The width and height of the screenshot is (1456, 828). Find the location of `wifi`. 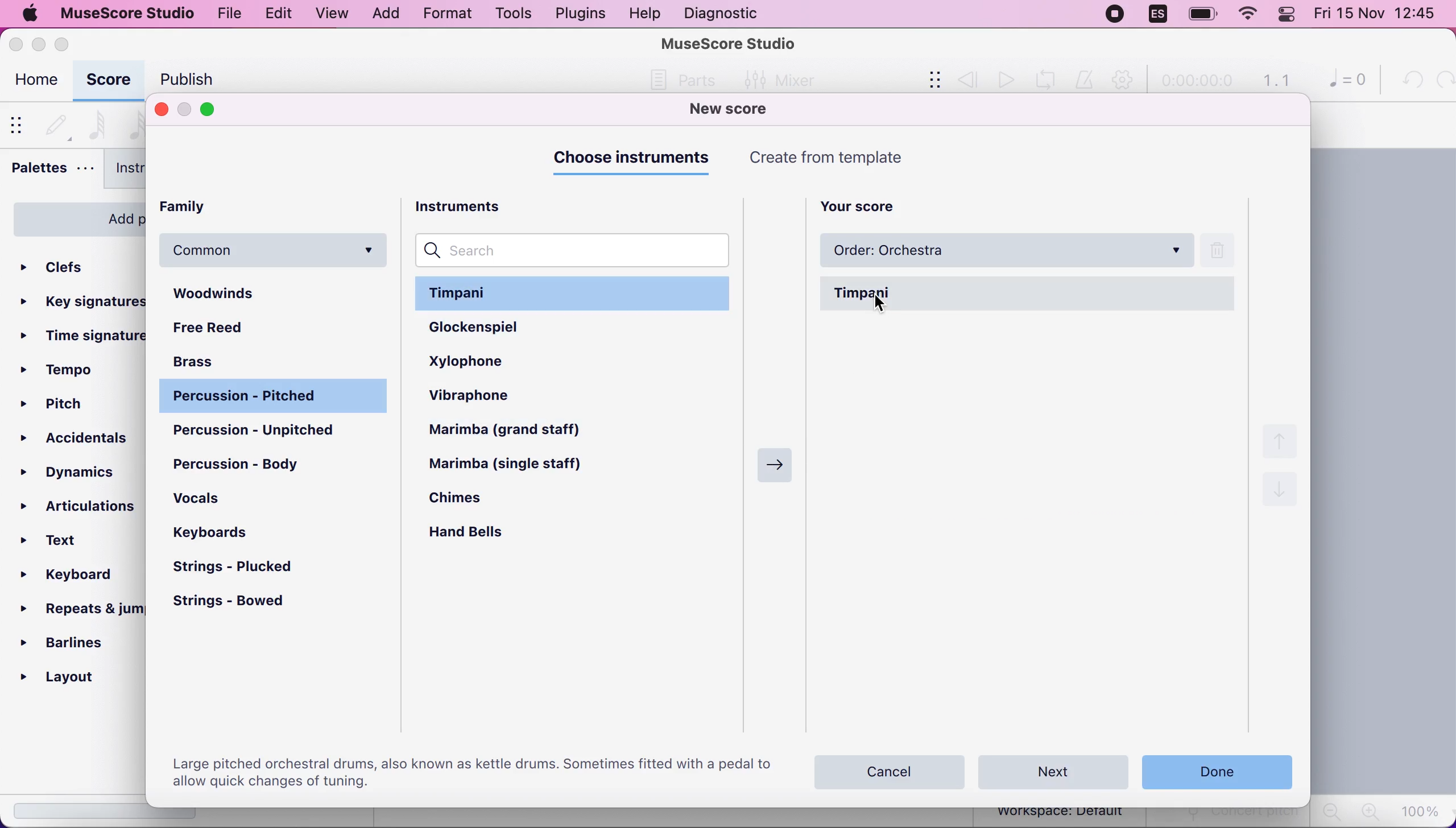

wifi is located at coordinates (1247, 16).